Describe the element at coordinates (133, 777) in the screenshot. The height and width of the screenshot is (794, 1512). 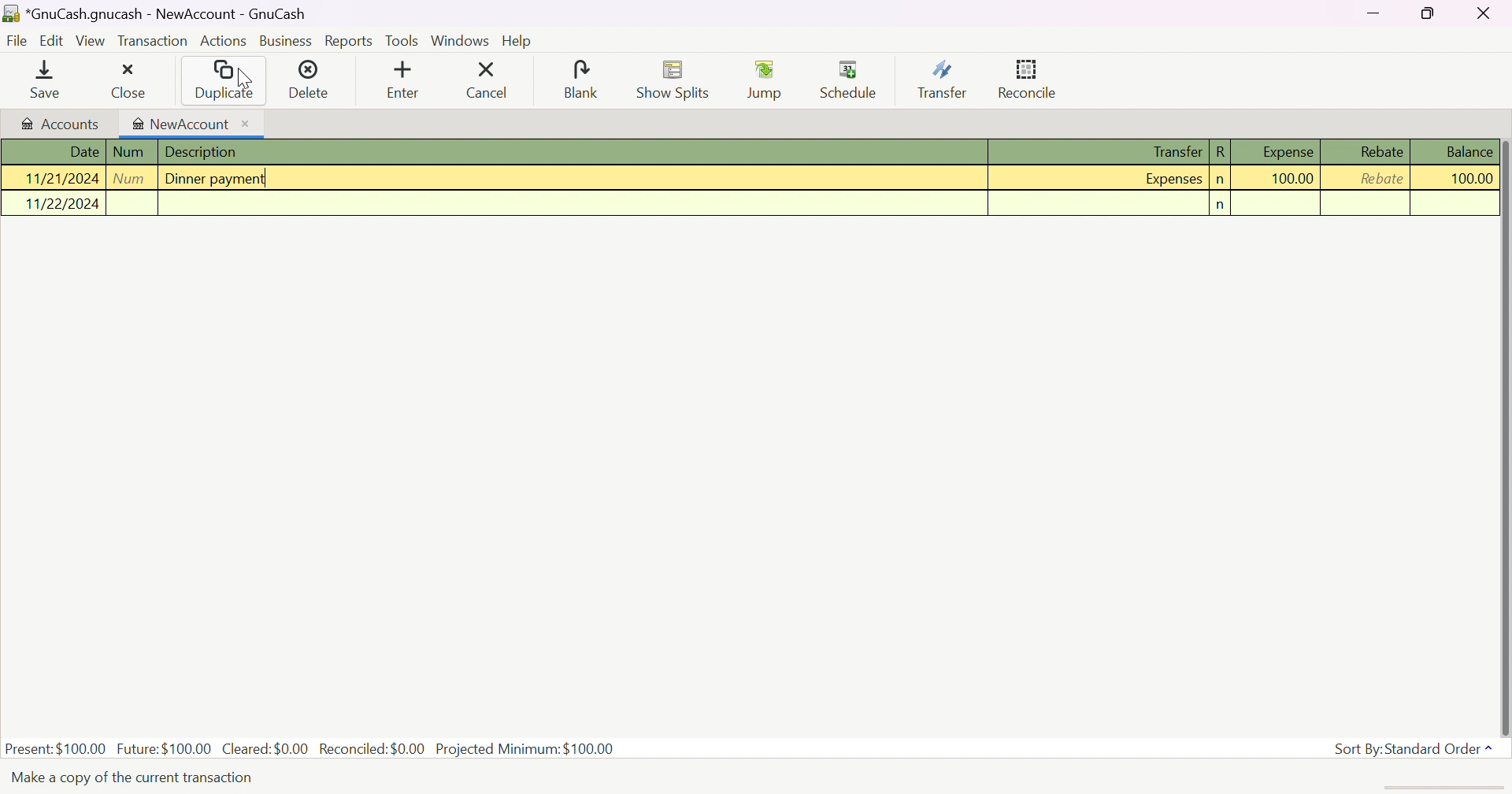
I see `Make a copy of current transaction.` at that location.